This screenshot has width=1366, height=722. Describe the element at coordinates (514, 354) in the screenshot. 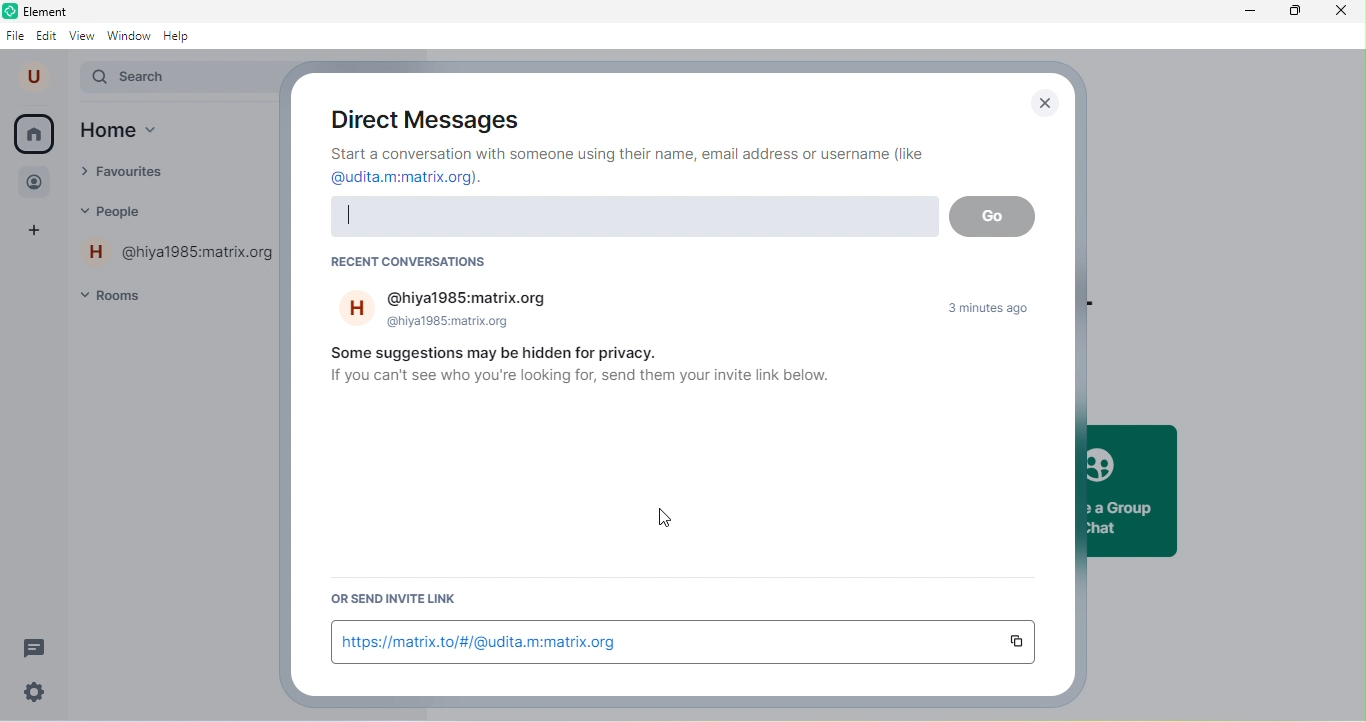

I see `some suggestions may be hidden for privacy` at that location.